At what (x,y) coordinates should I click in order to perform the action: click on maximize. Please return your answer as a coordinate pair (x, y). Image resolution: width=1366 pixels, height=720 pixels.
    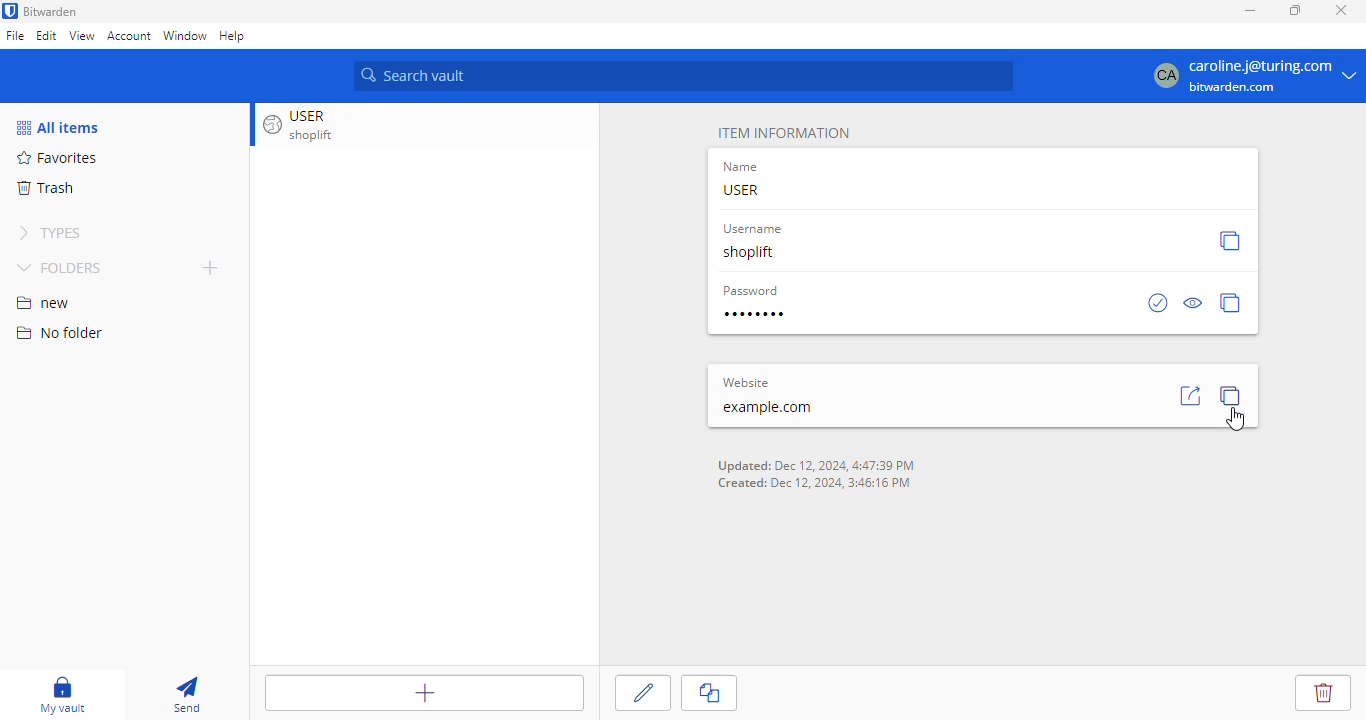
    Looking at the image, I should click on (1296, 10).